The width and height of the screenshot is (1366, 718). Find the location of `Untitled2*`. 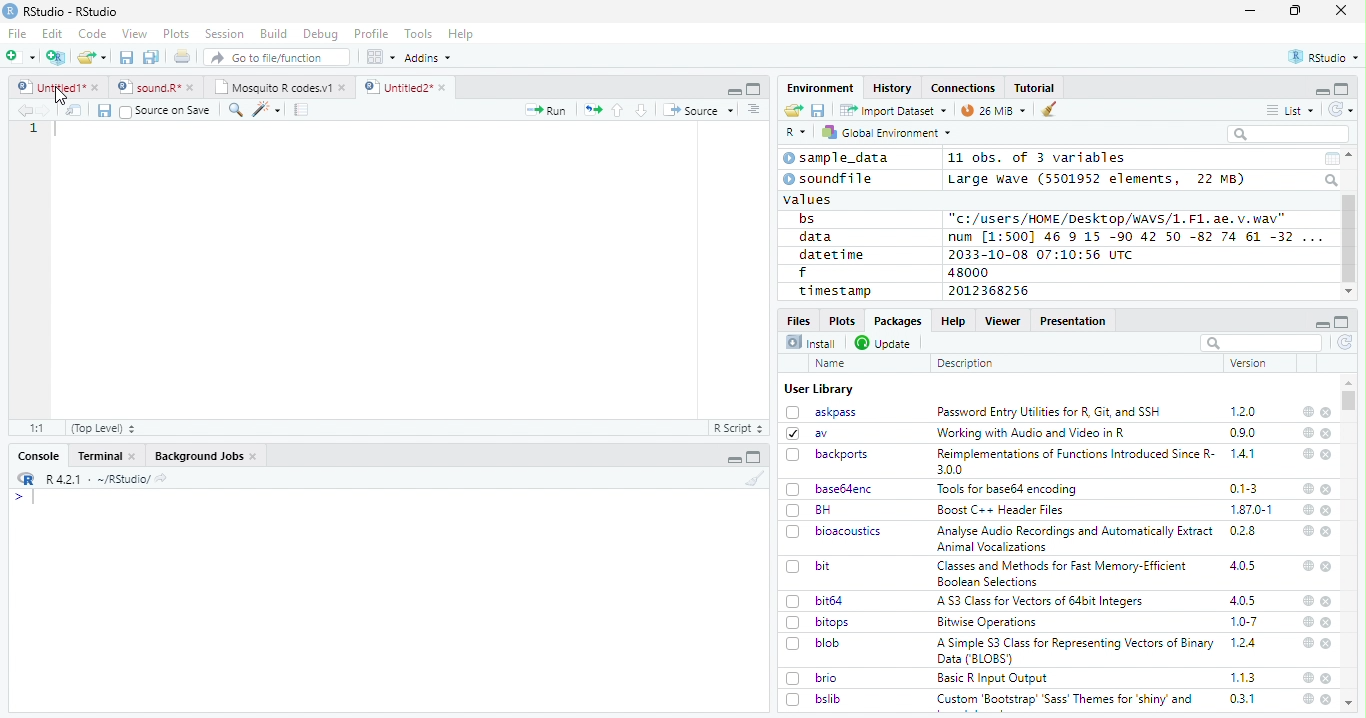

Untitled2* is located at coordinates (409, 88).